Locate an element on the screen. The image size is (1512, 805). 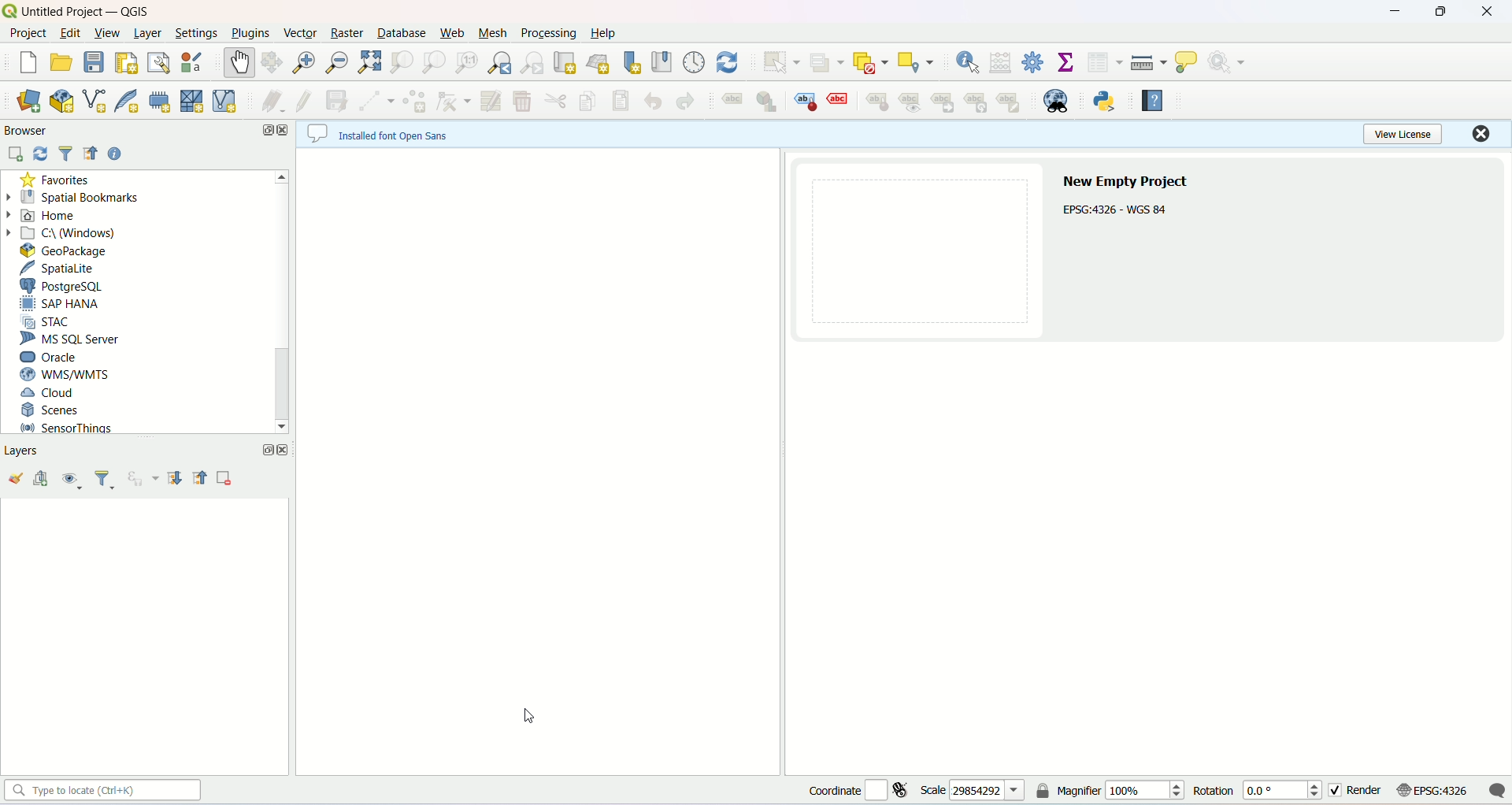
new geopackage layer is located at coordinates (62, 101).